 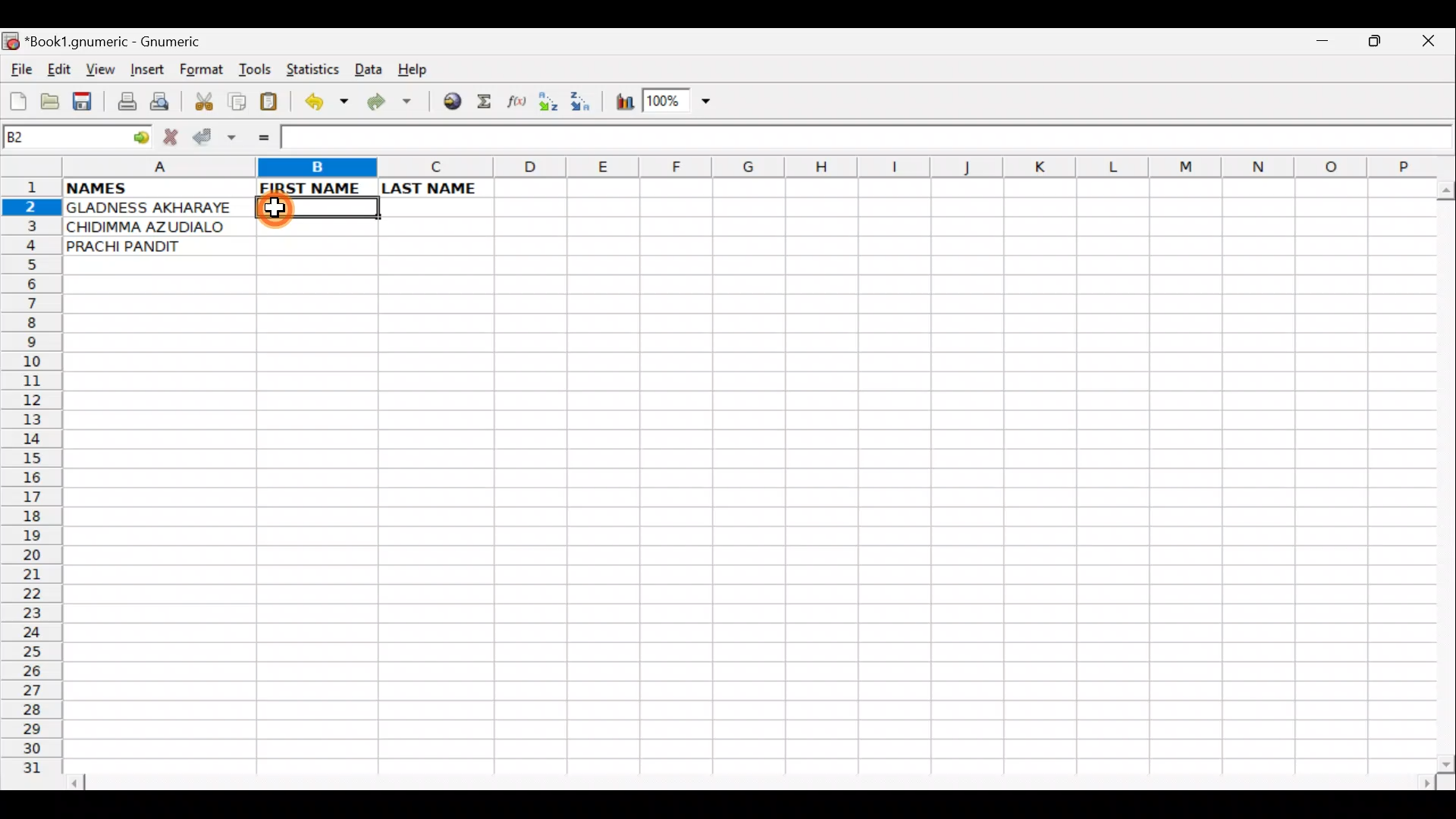 What do you see at coordinates (450, 102) in the screenshot?
I see `Insert hyperlink` at bounding box center [450, 102].